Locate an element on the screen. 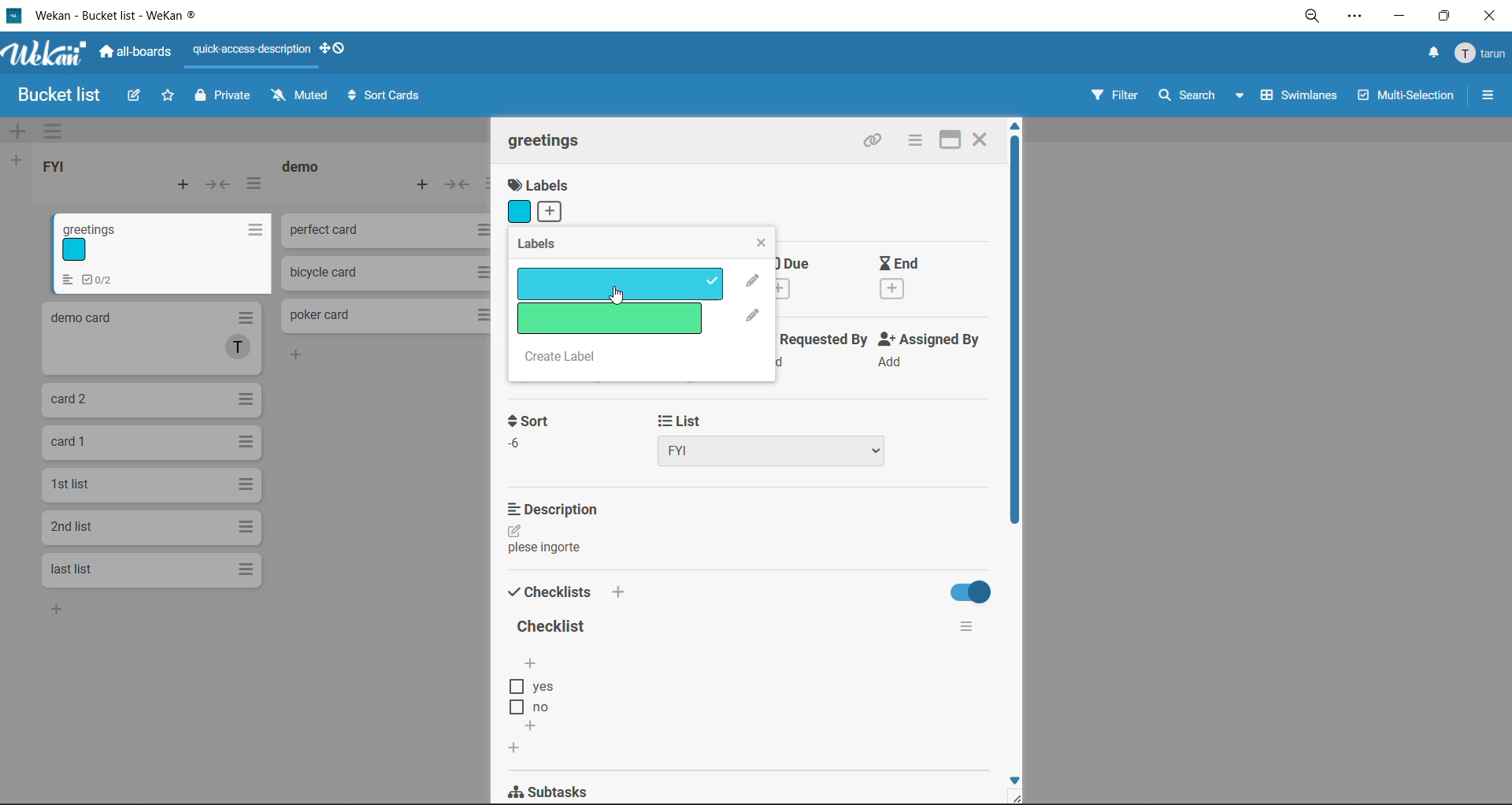 Image resolution: width=1512 pixels, height=805 pixels. copy link is located at coordinates (873, 142).